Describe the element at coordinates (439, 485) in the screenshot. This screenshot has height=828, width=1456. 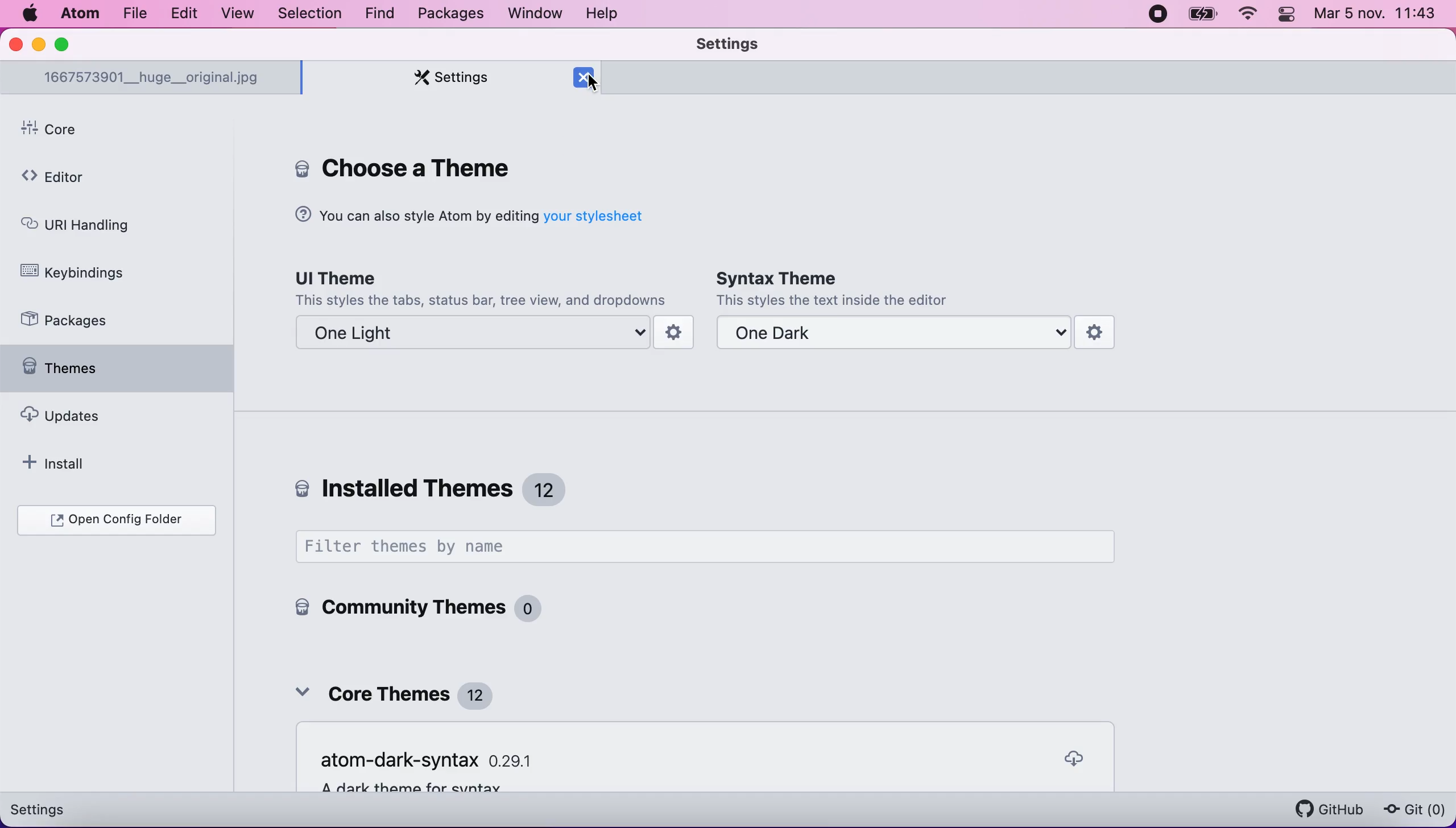
I see `installed themes` at that location.